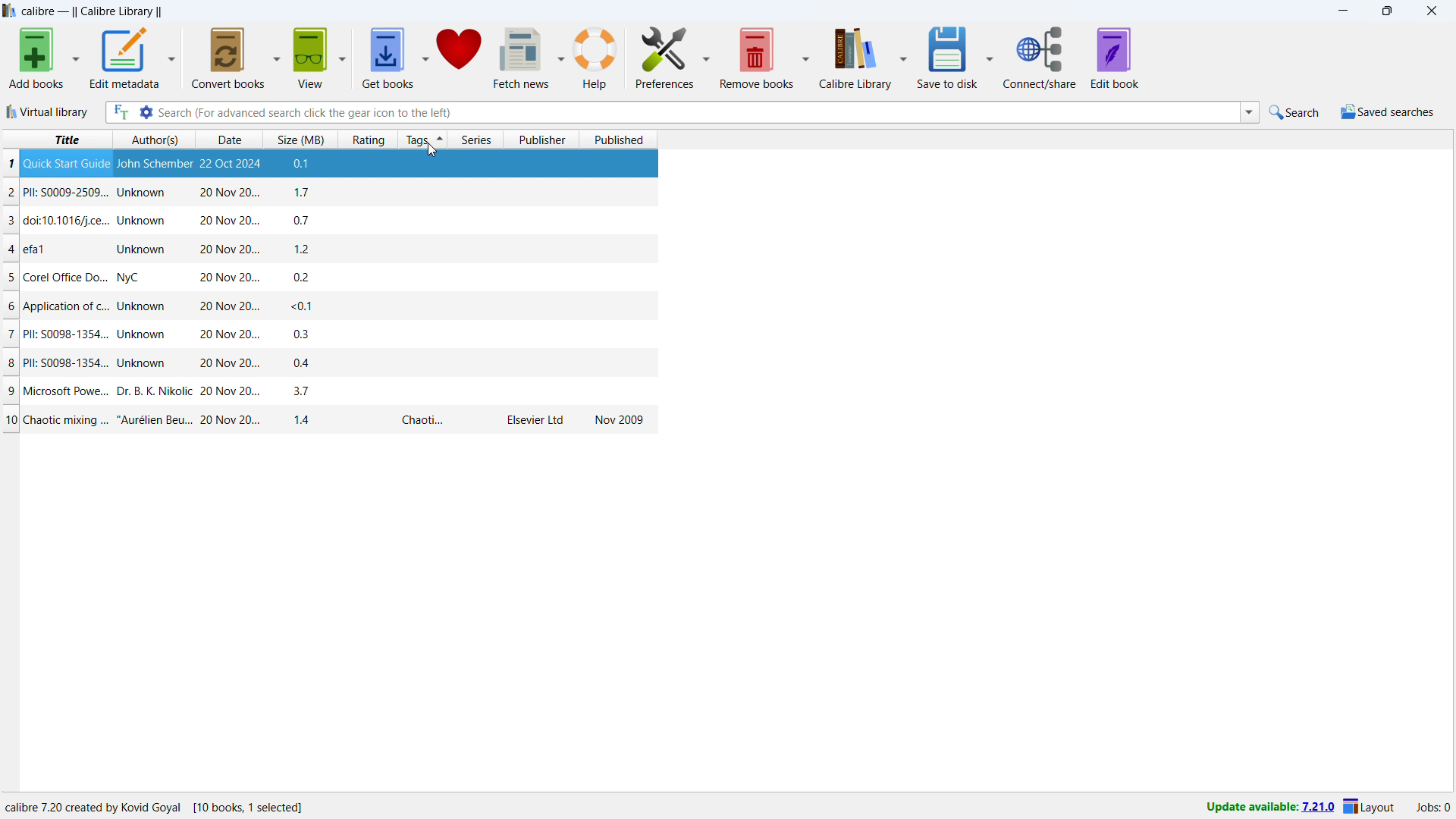 Image resolution: width=1456 pixels, height=819 pixels. What do you see at coordinates (1387, 111) in the screenshot?
I see `saved searches menu` at bounding box center [1387, 111].